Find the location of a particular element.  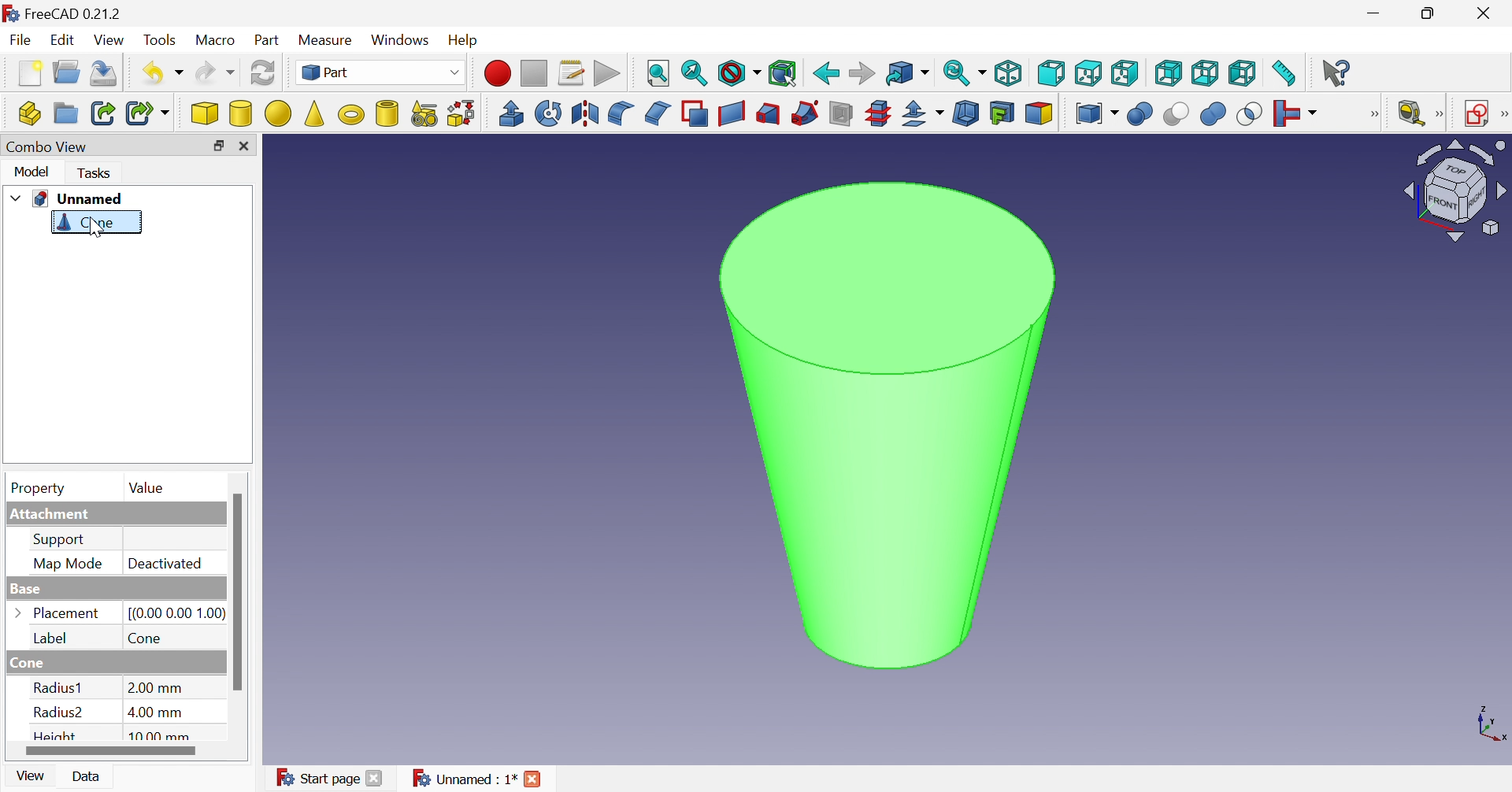

Union is located at coordinates (1215, 113).